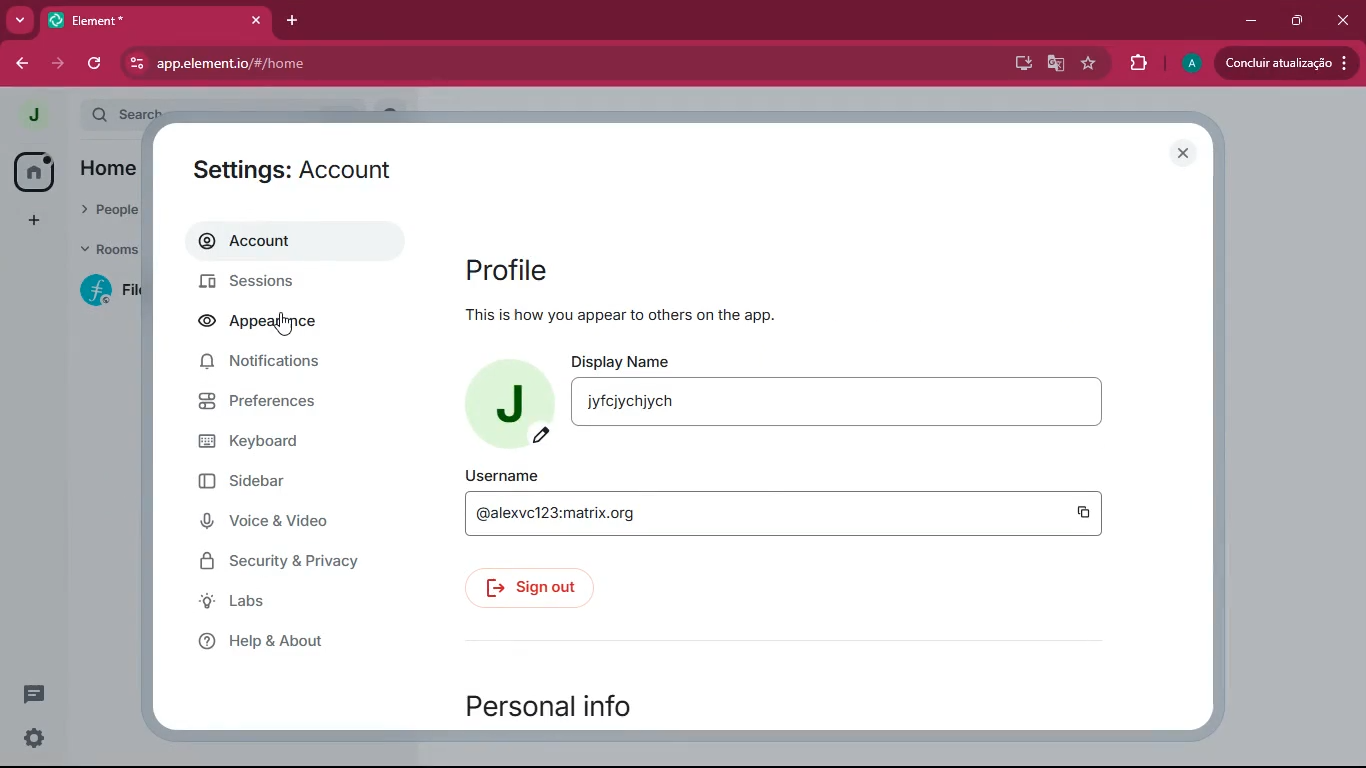 The height and width of the screenshot is (768, 1366). I want to click on app.elementio/#/home, so click(451, 64).